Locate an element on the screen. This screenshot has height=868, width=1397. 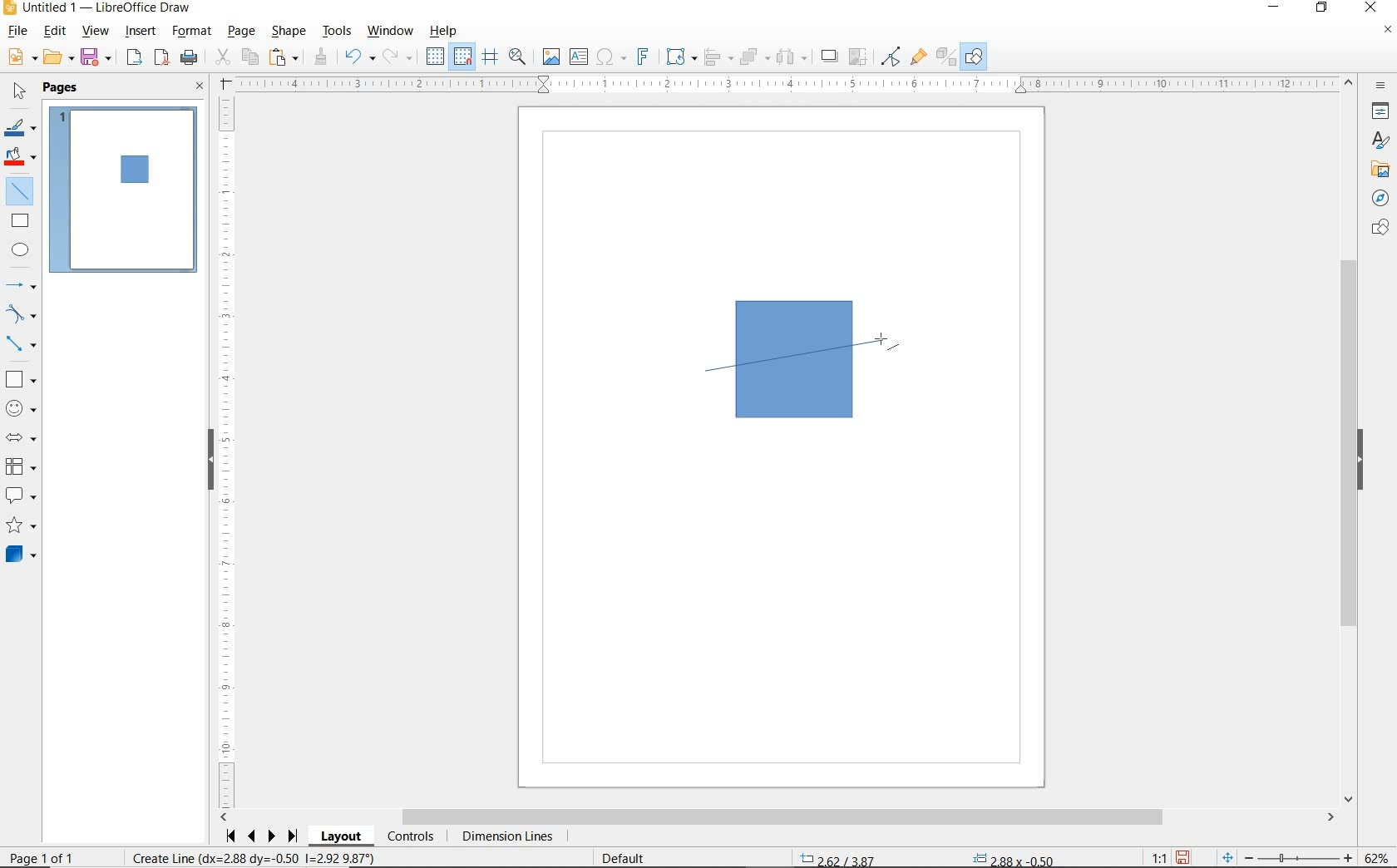
TOOLS is located at coordinates (338, 32).